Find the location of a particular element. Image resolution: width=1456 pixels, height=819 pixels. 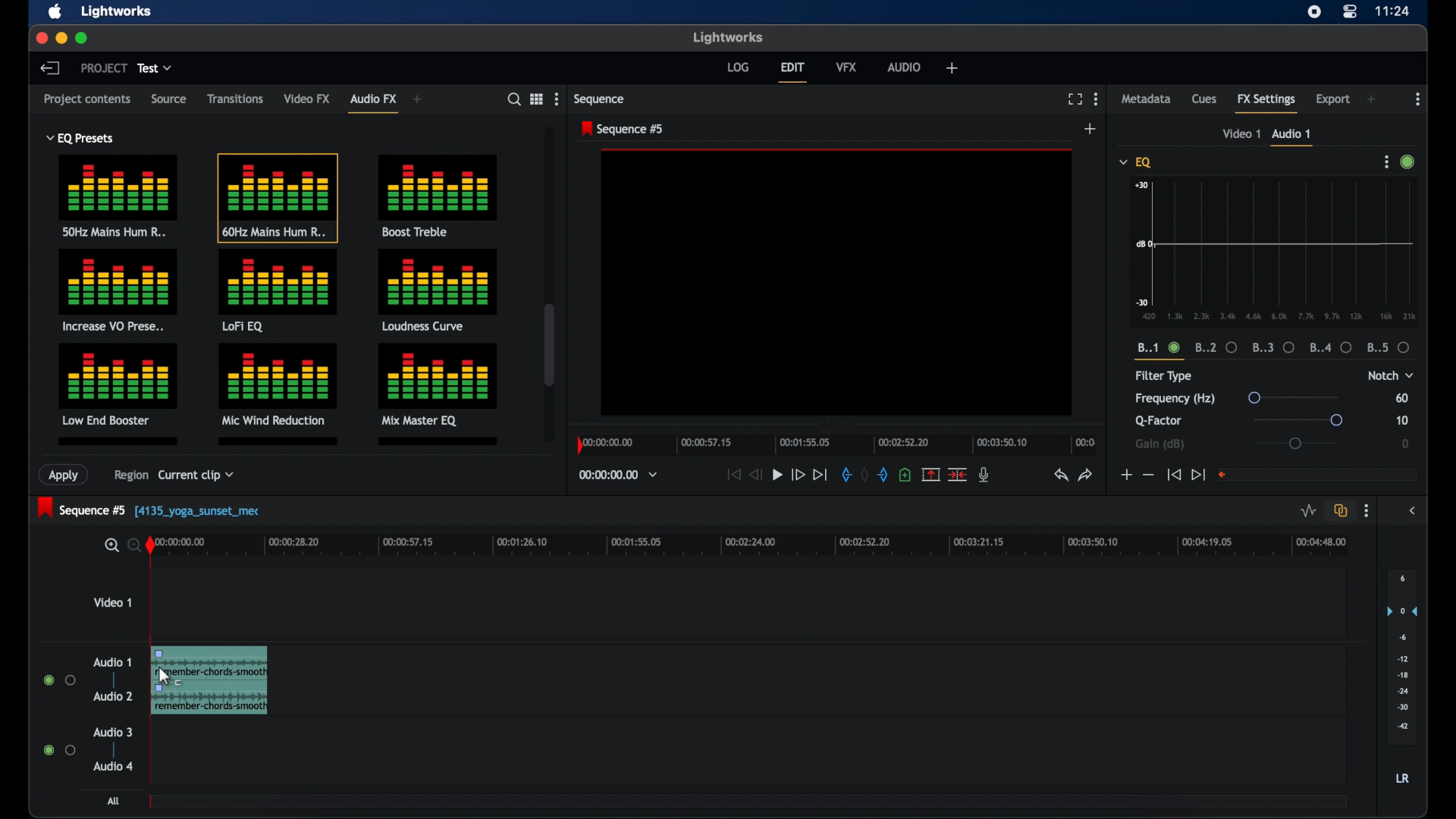

rewind is located at coordinates (754, 475).